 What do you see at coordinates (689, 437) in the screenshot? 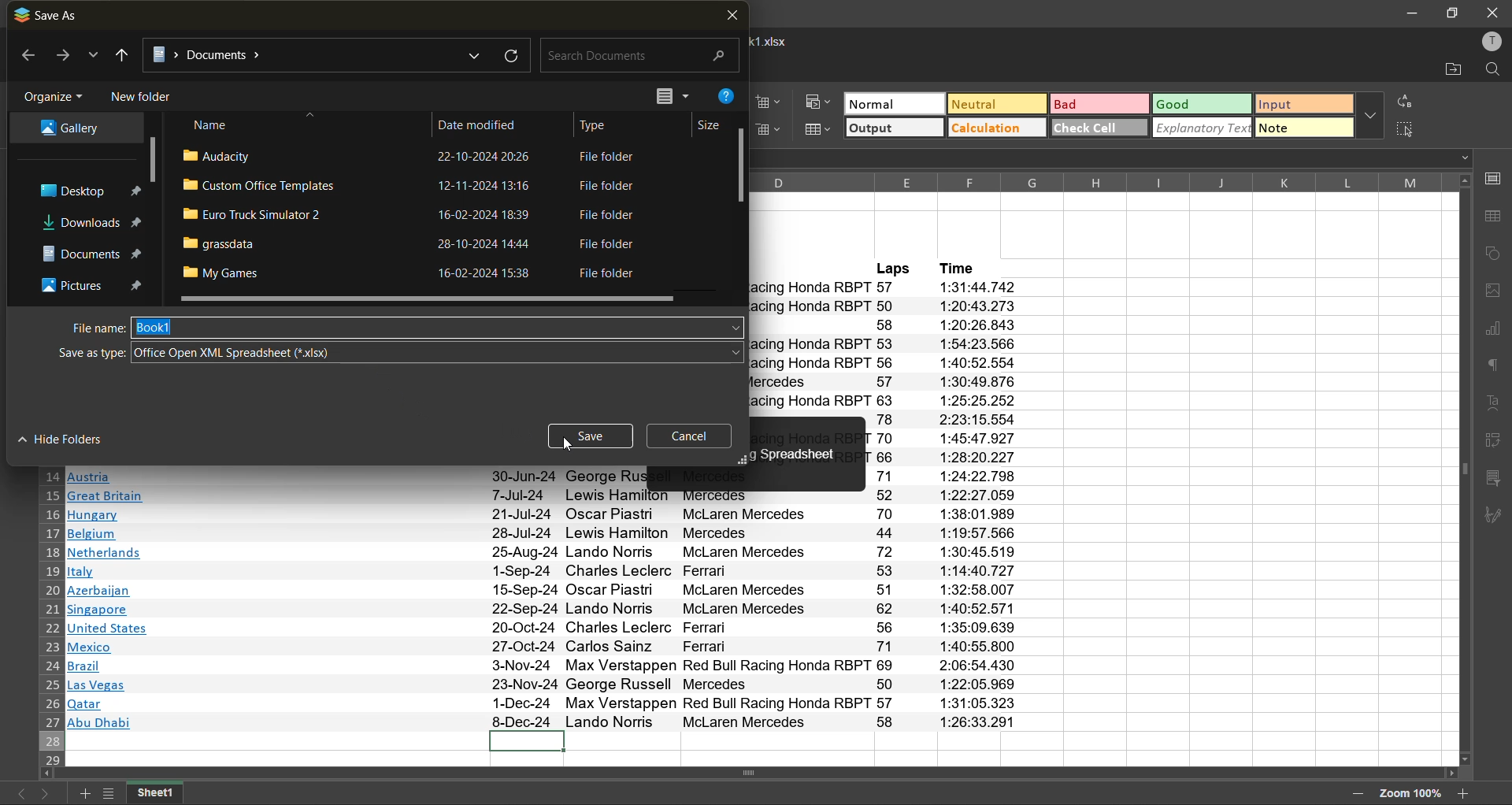
I see `cancel` at bounding box center [689, 437].